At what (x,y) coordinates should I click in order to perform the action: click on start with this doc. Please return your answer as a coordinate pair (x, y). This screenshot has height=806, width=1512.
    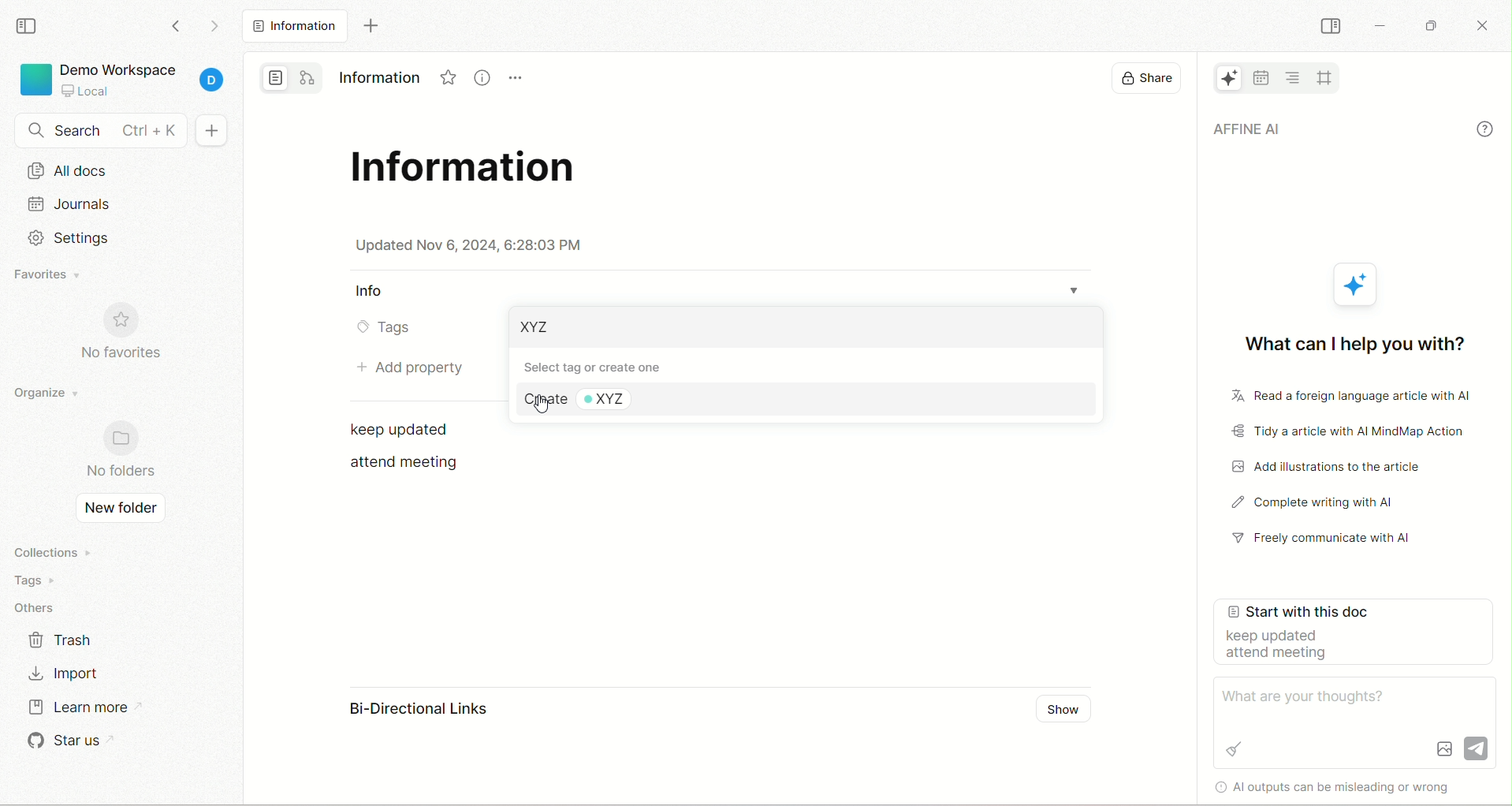
    Looking at the image, I should click on (1357, 633).